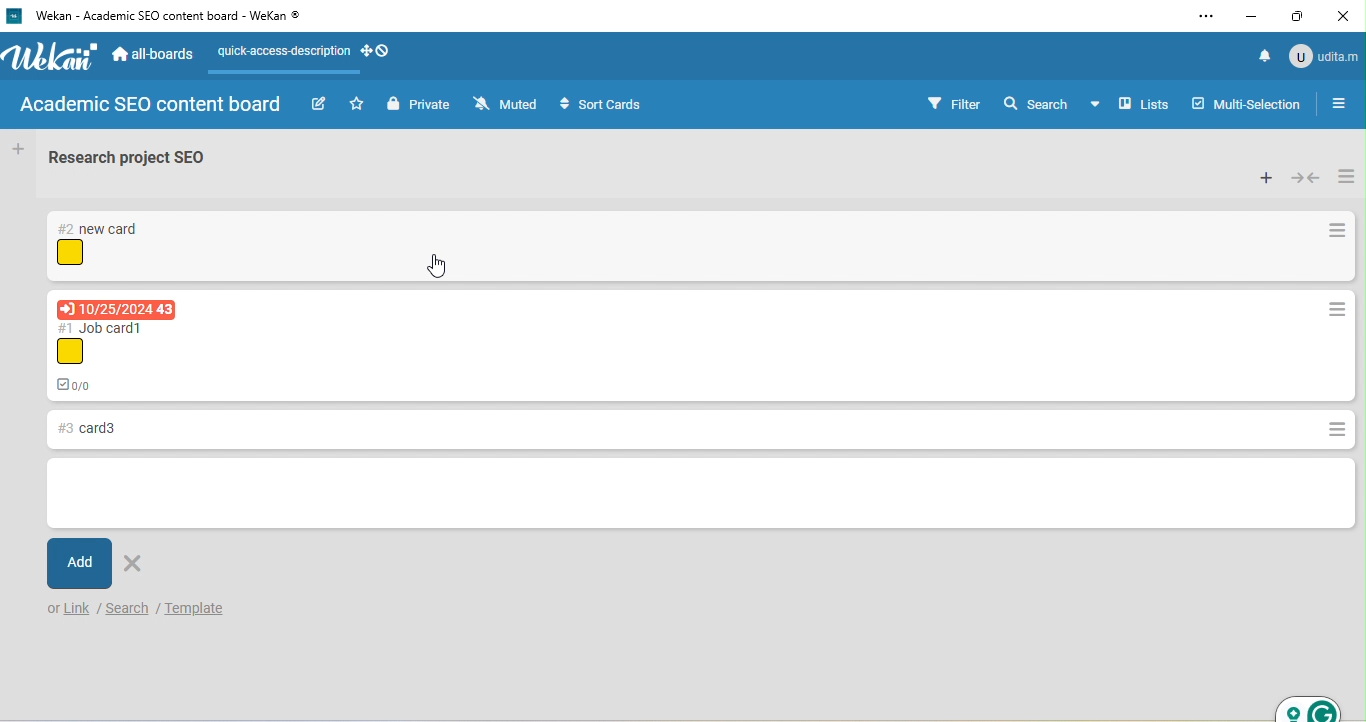 This screenshot has height=722, width=1366. Describe the element at coordinates (155, 57) in the screenshot. I see `all boards` at that location.